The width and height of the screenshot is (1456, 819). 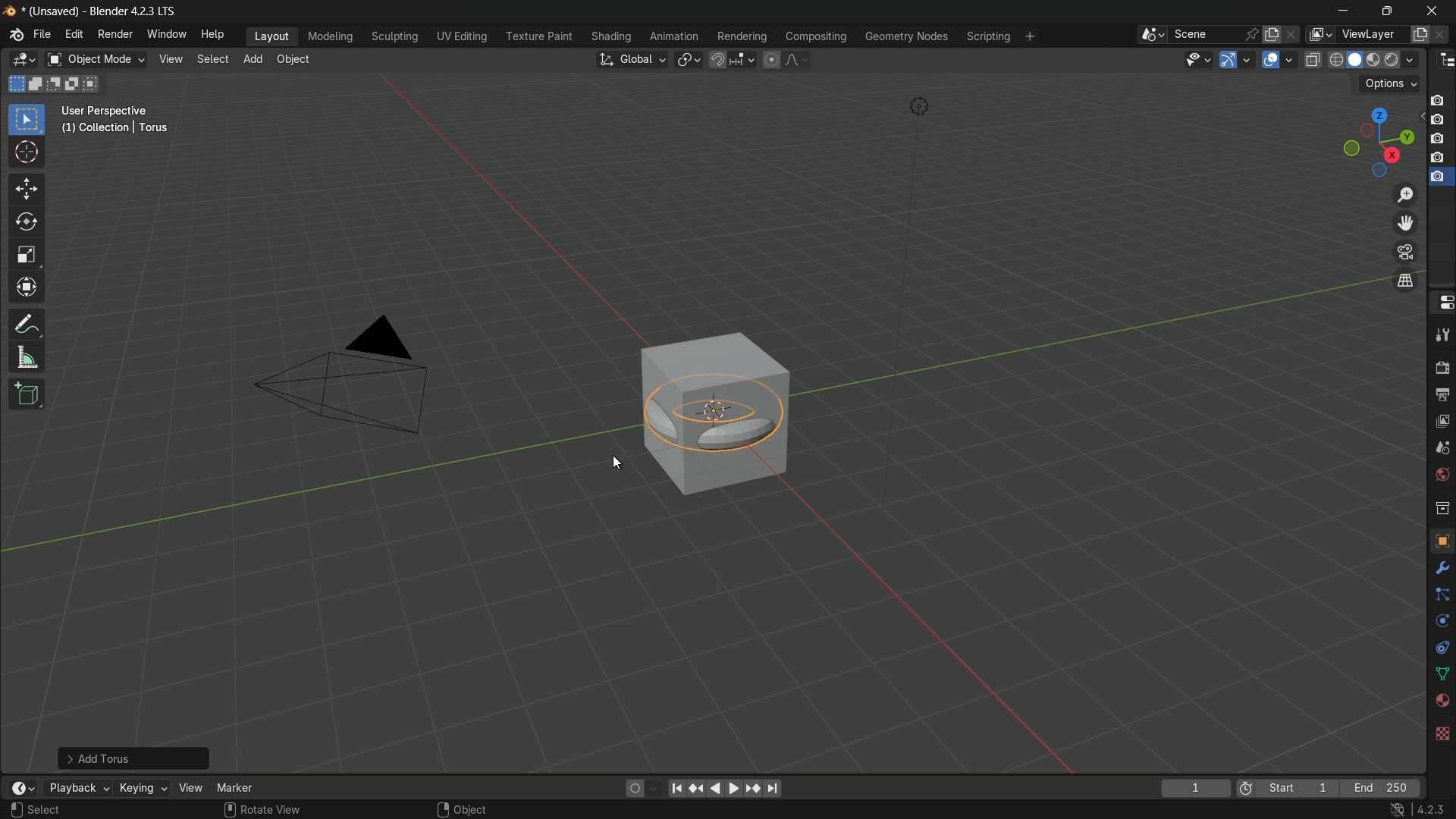 What do you see at coordinates (27, 324) in the screenshot?
I see `annotate` at bounding box center [27, 324].